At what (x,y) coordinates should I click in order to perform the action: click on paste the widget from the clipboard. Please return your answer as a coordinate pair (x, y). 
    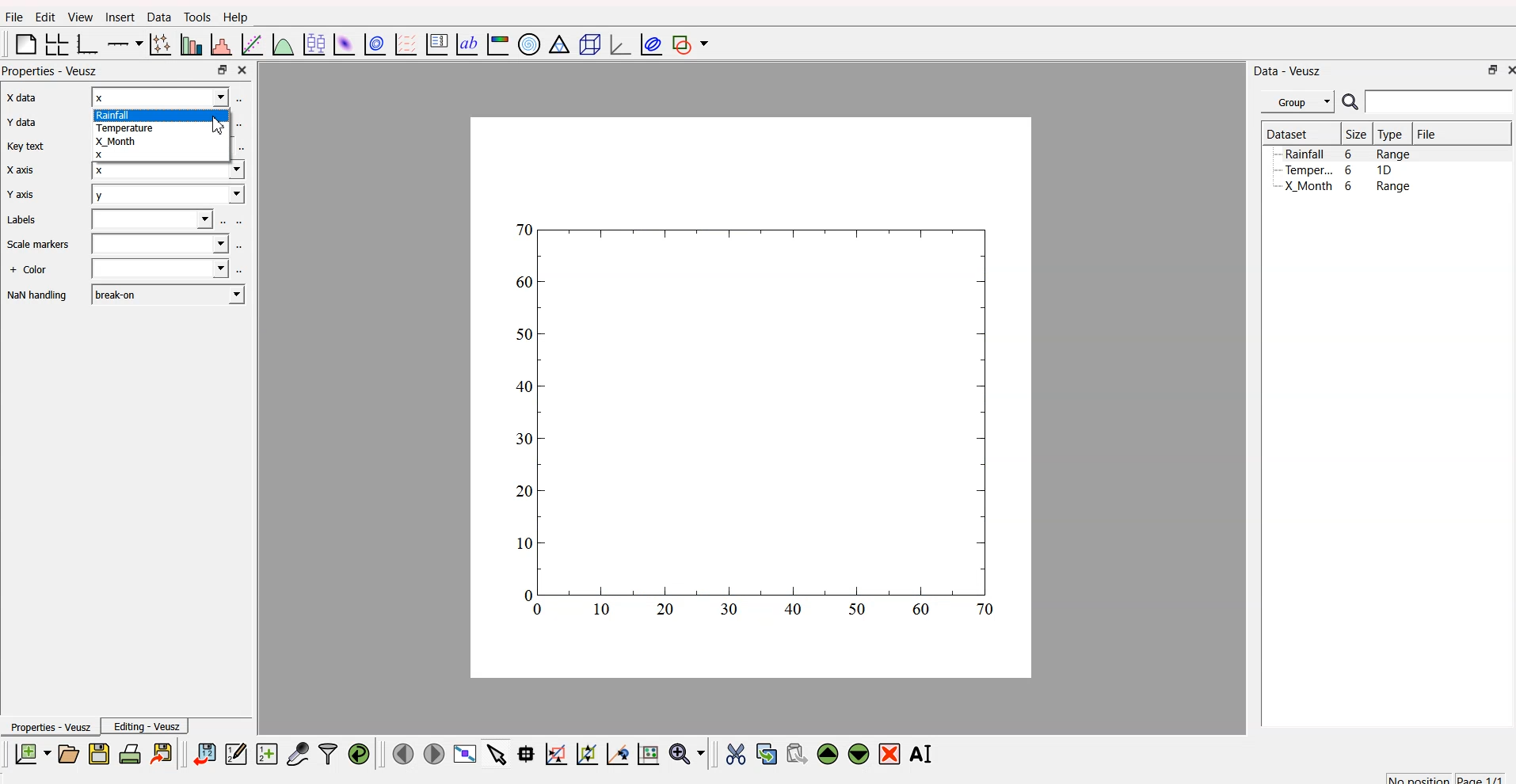
    Looking at the image, I should click on (796, 753).